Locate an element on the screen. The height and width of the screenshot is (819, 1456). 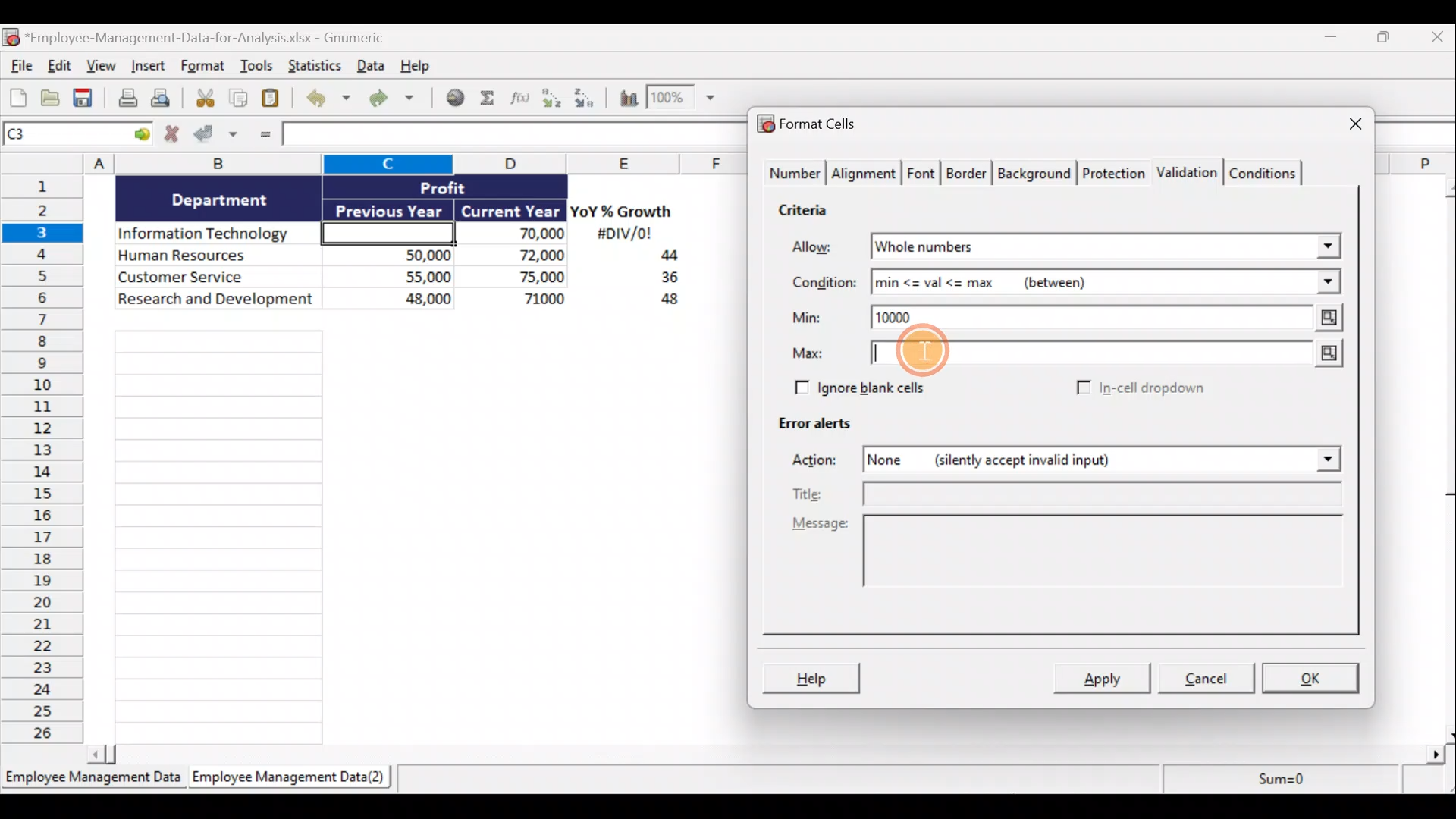
Tools is located at coordinates (257, 67).